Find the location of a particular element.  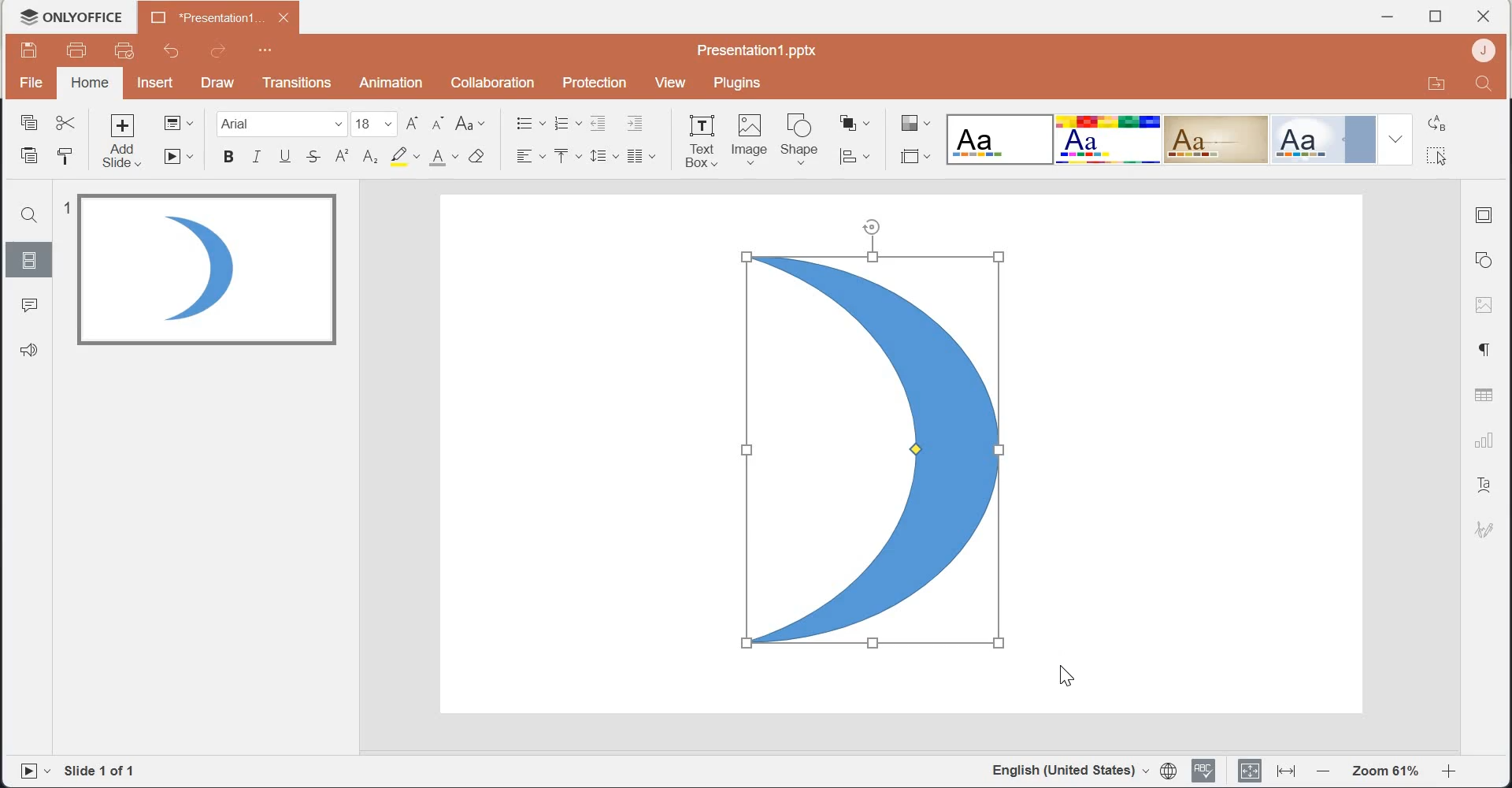

Subscript is located at coordinates (369, 157).